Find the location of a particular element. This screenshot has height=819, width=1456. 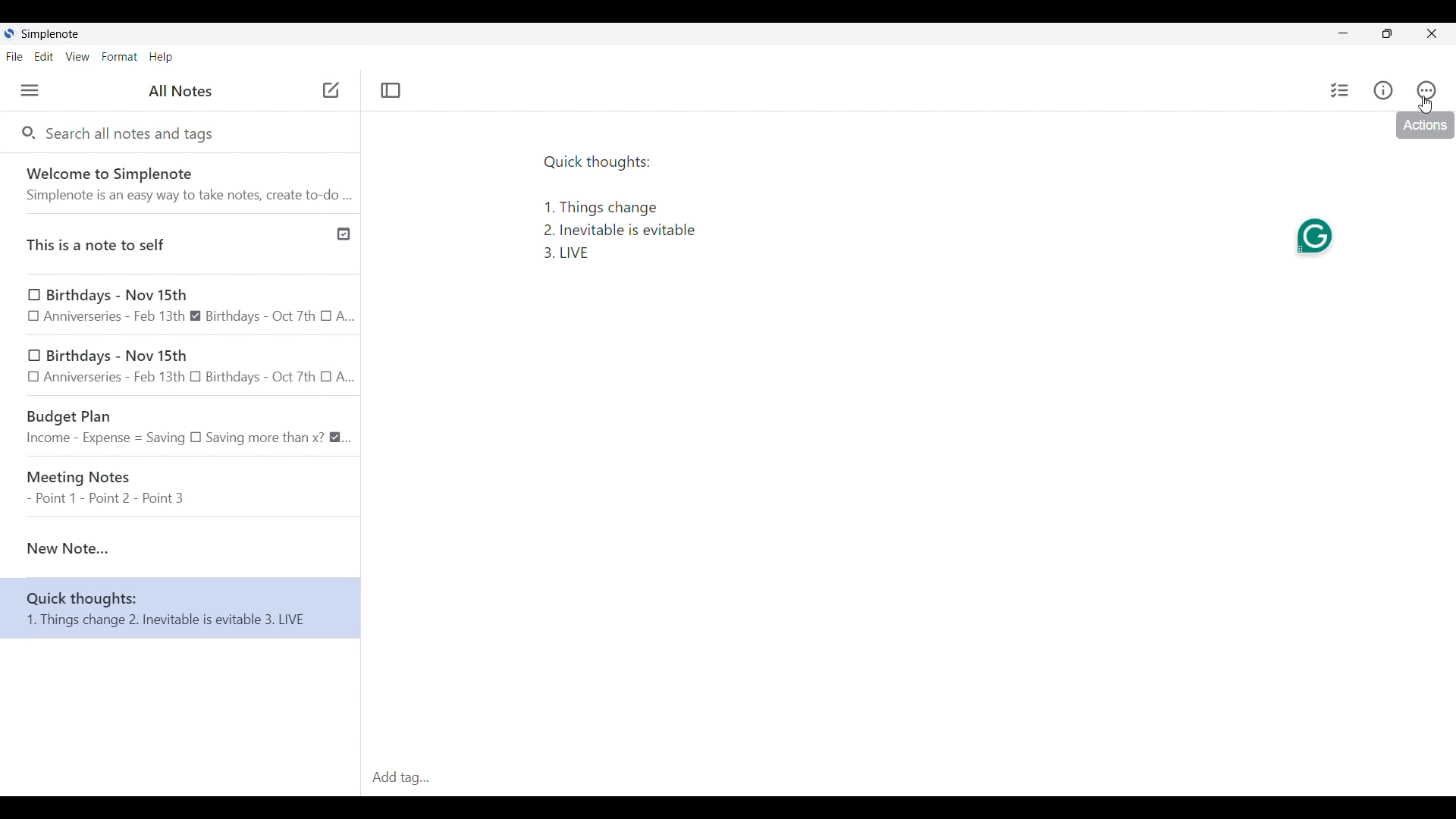

Published note indicated by check icon is located at coordinates (180, 244).